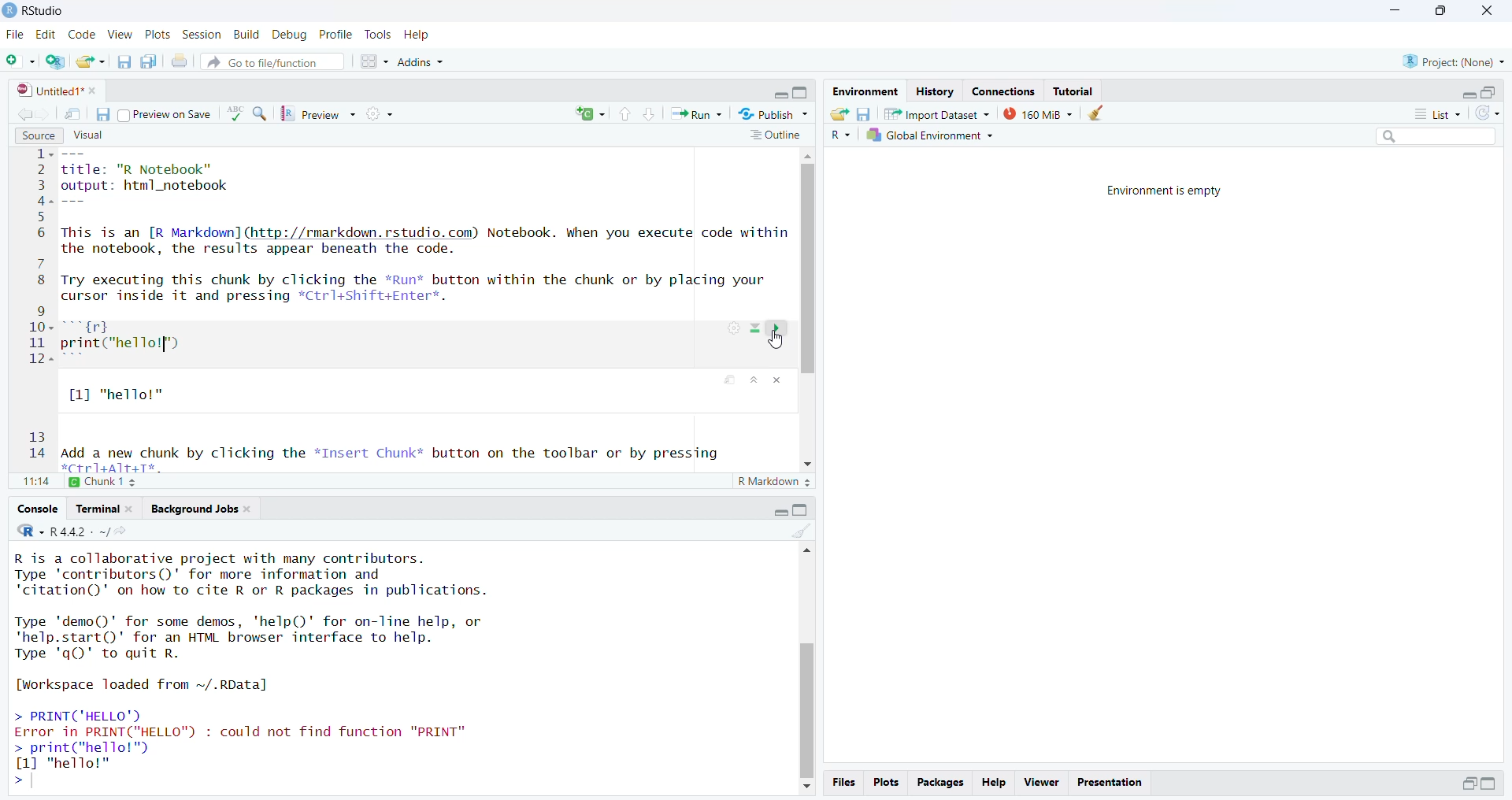 Image resolution: width=1512 pixels, height=800 pixels. I want to click on Addins, so click(421, 64).